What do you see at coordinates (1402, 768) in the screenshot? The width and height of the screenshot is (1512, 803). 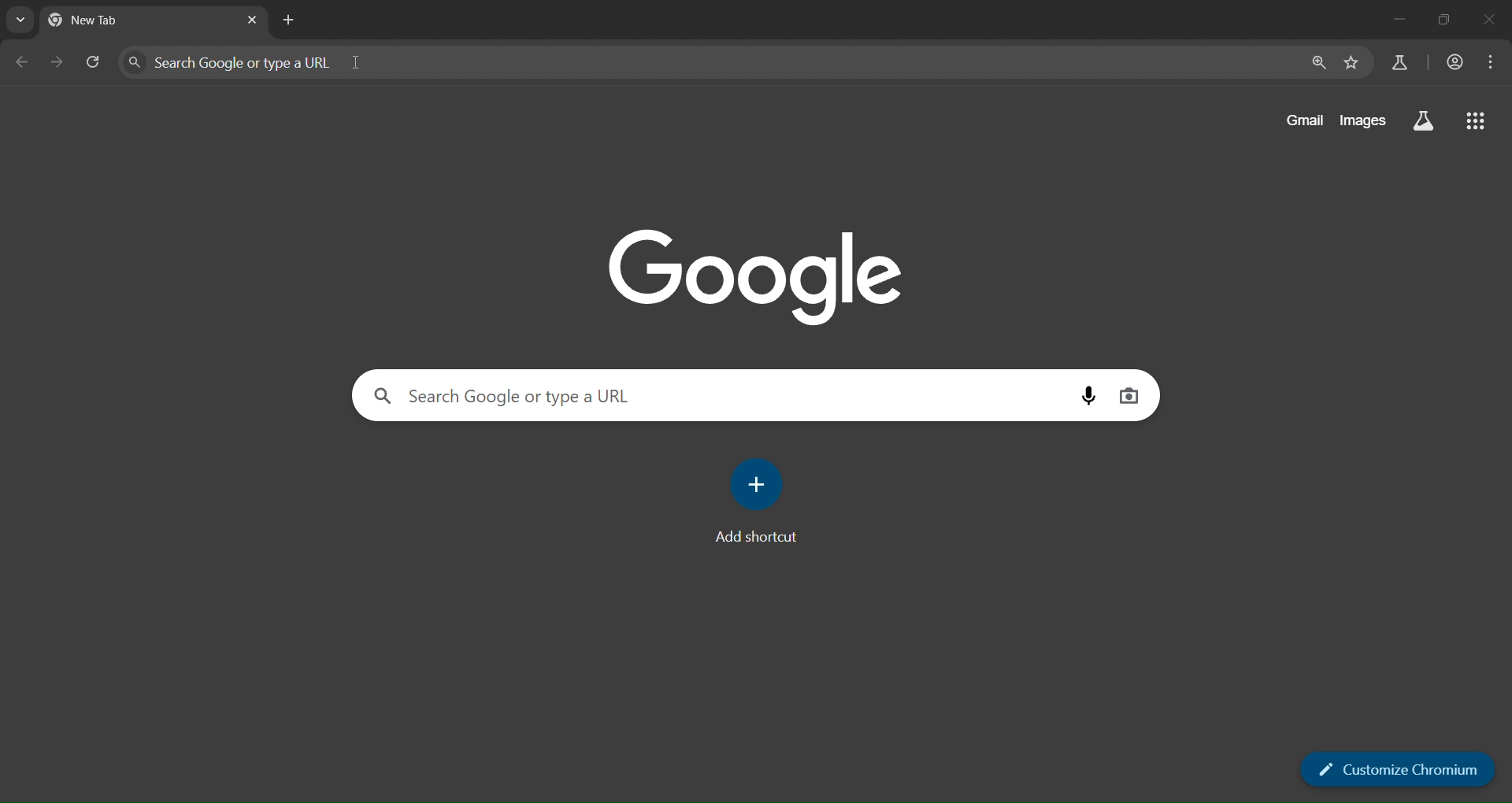 I see `customize chromium` at bounding box center [1402, 768].